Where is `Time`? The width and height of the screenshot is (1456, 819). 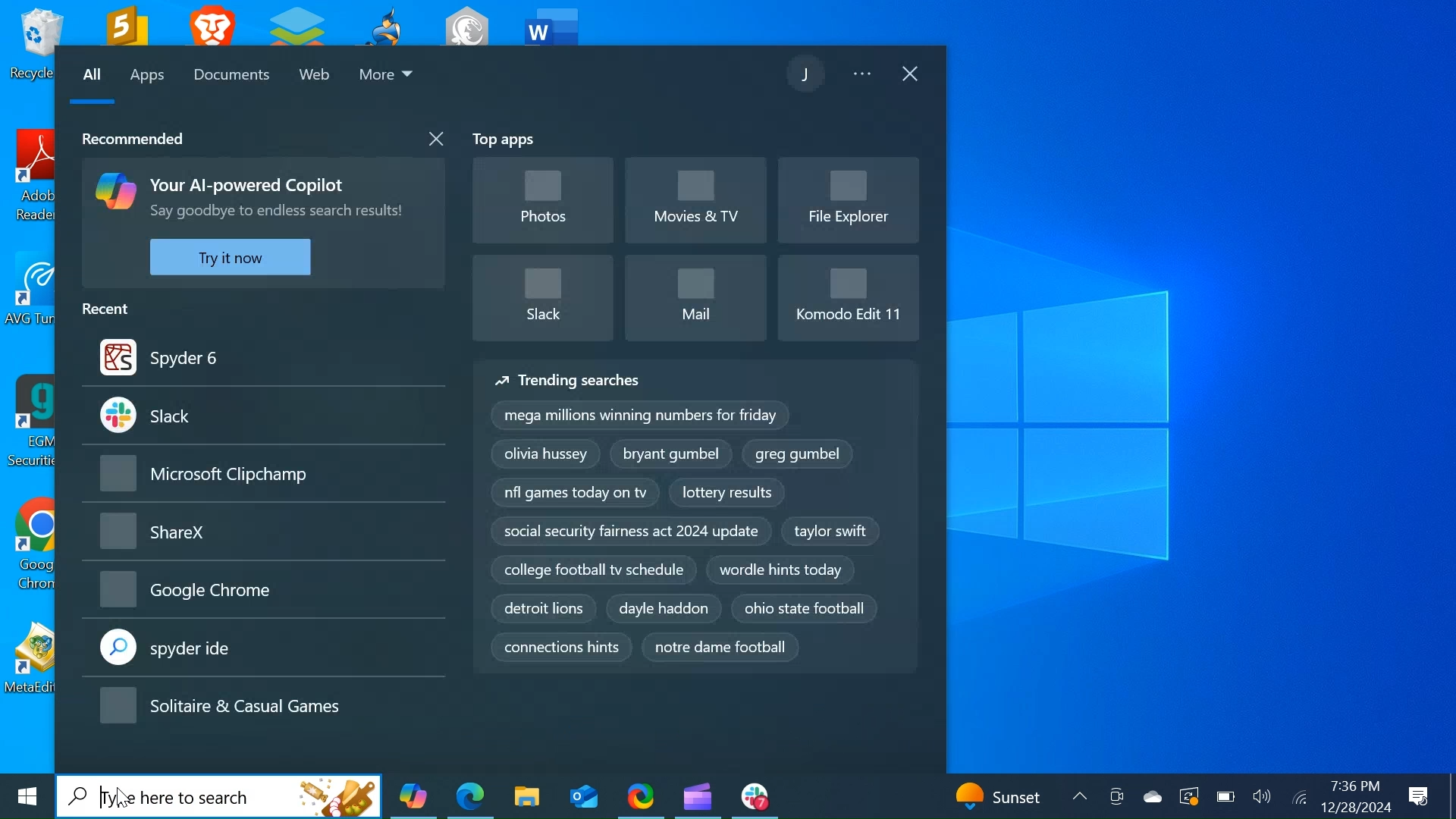 Time is located at coordinates (1353, 786).